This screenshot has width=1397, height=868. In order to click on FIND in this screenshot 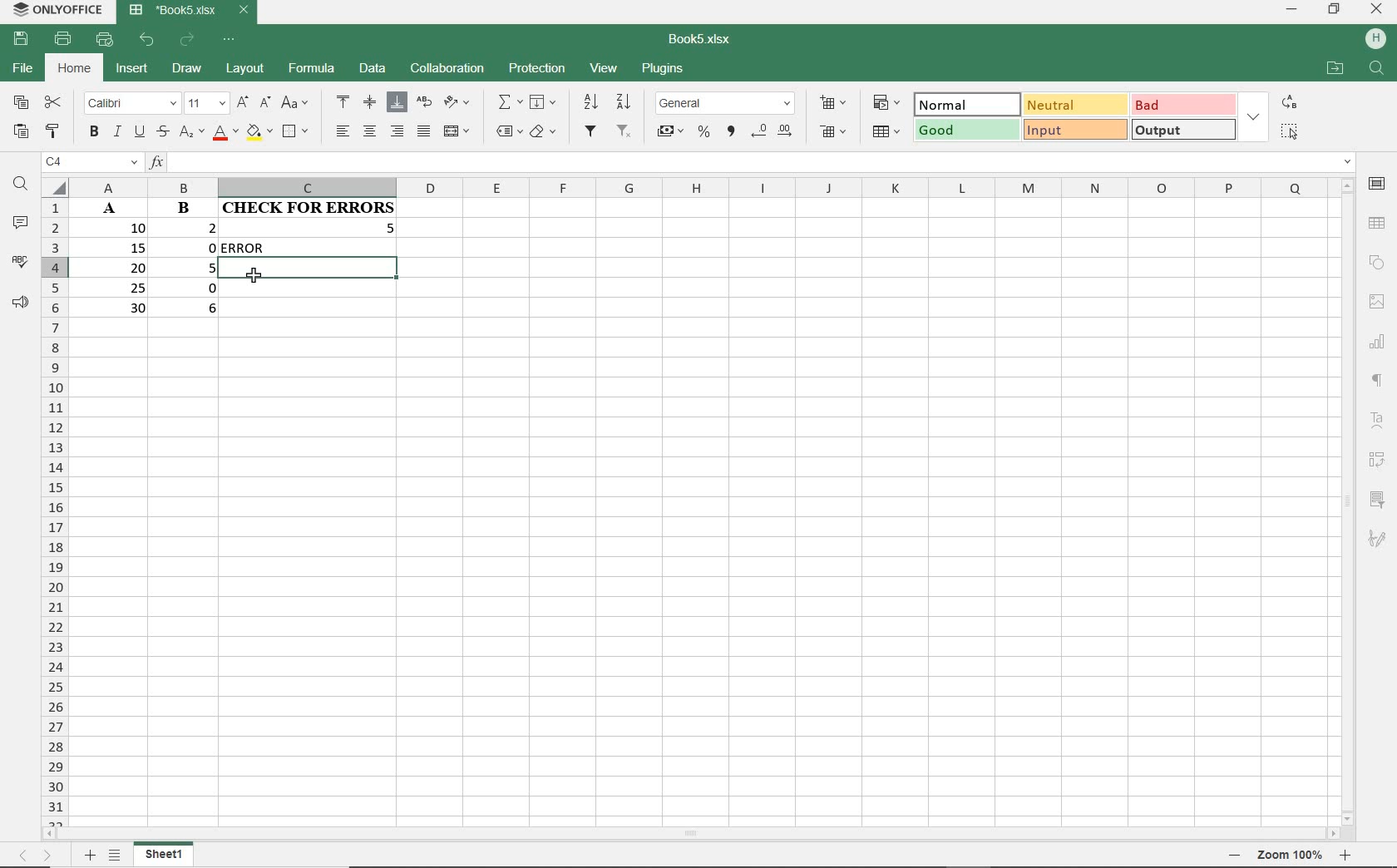, I will do `click(20, 187)`.